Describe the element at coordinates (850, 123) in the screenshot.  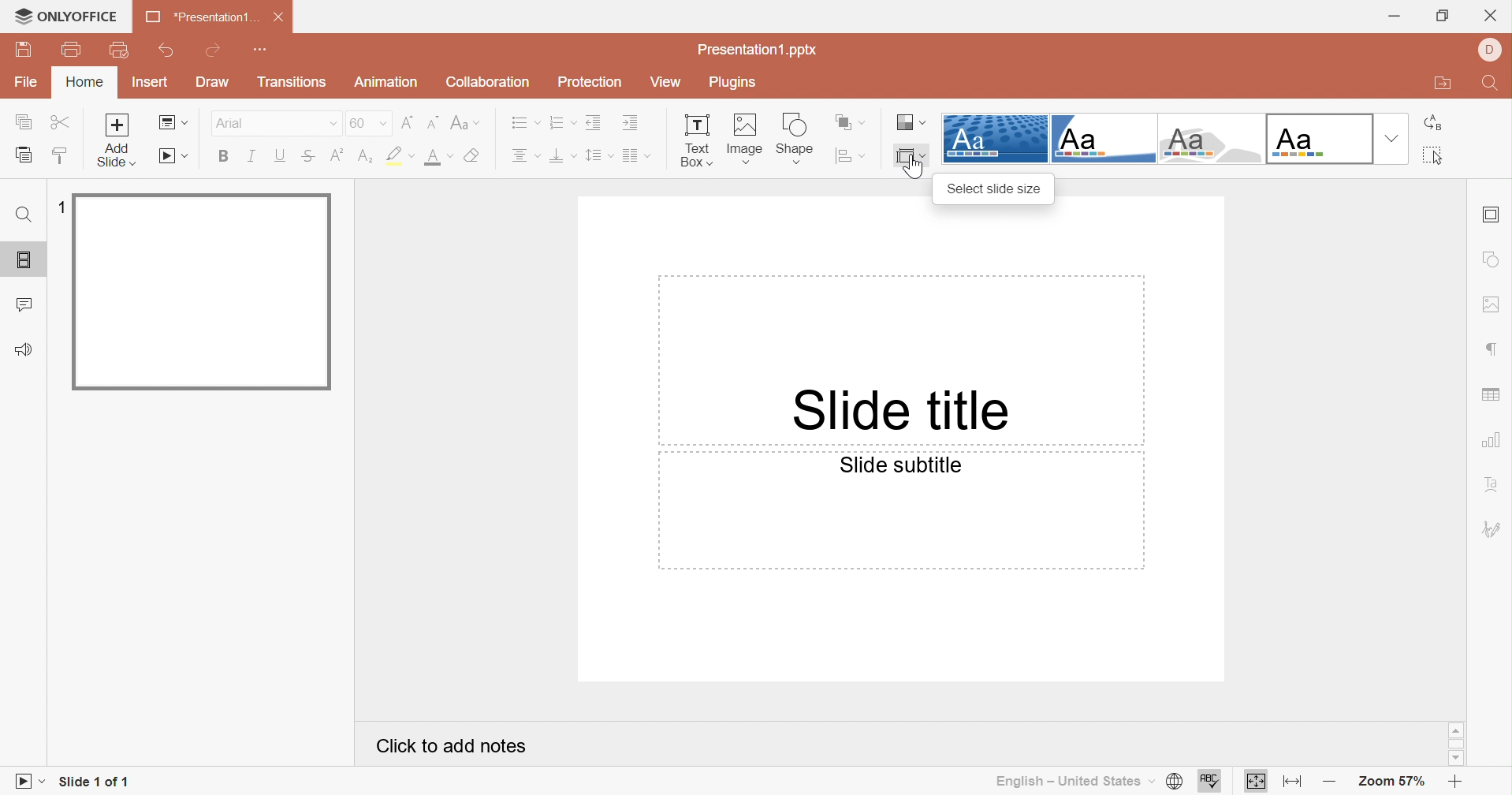
I see `Arrange shape` at that location.